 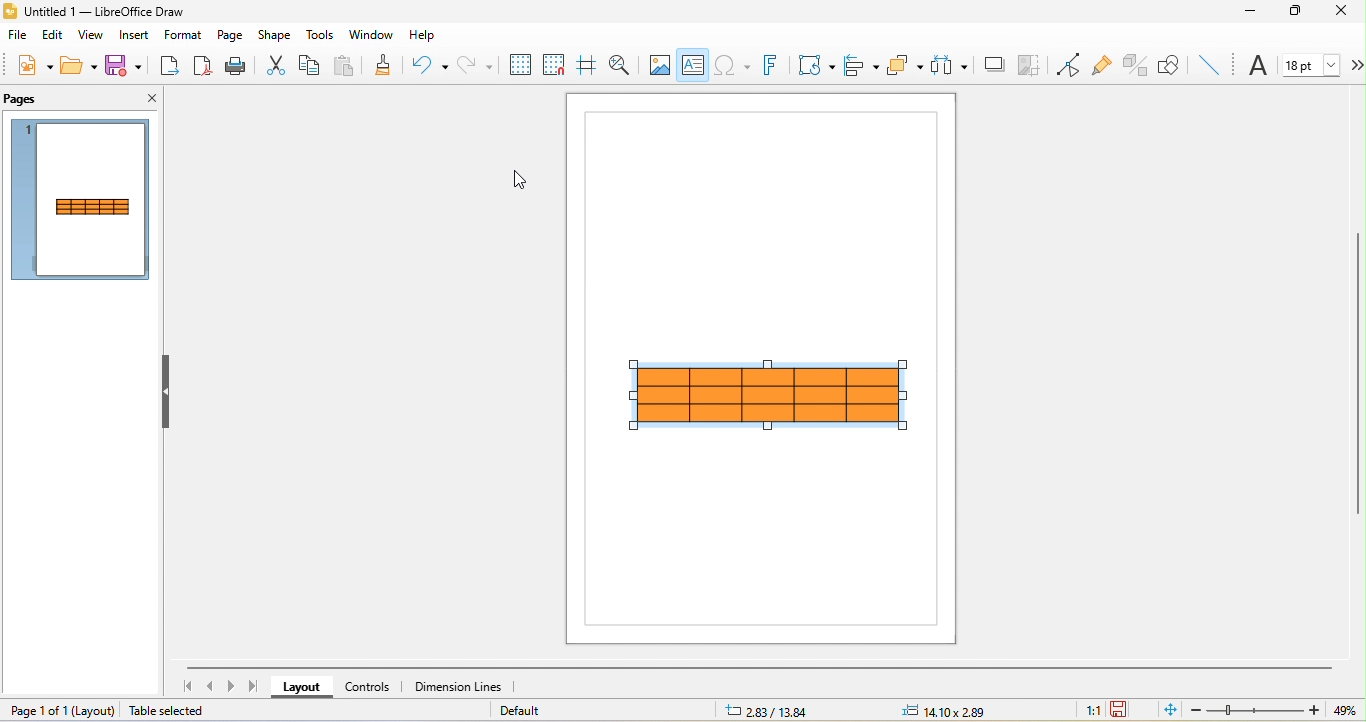 I want to click on undo, so click(x=432, y=65).